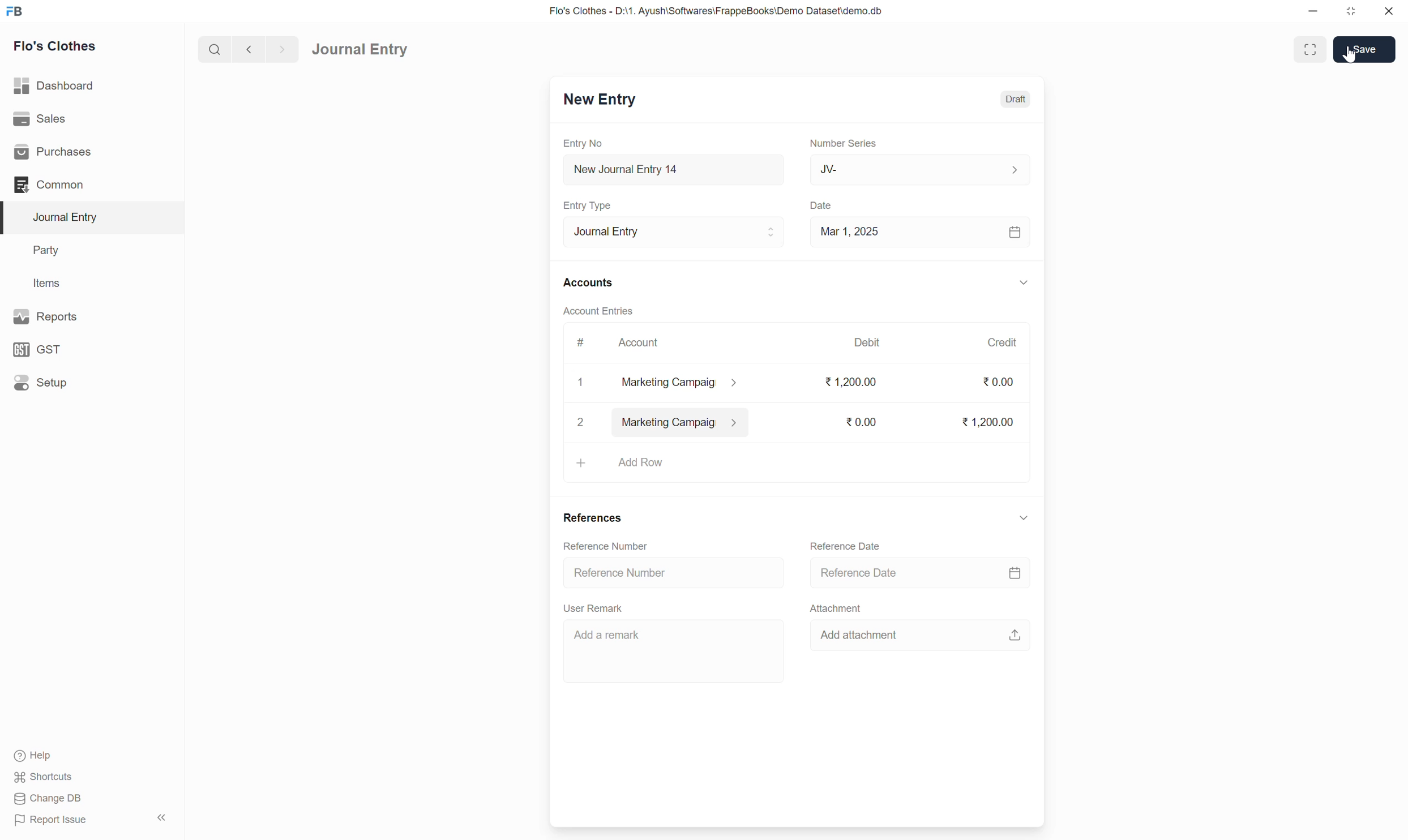 The width and height of the screenshot is (1408, 840). Describe the element at coordinates (1365, 50) in the screenshot. I see `Save` at that location.